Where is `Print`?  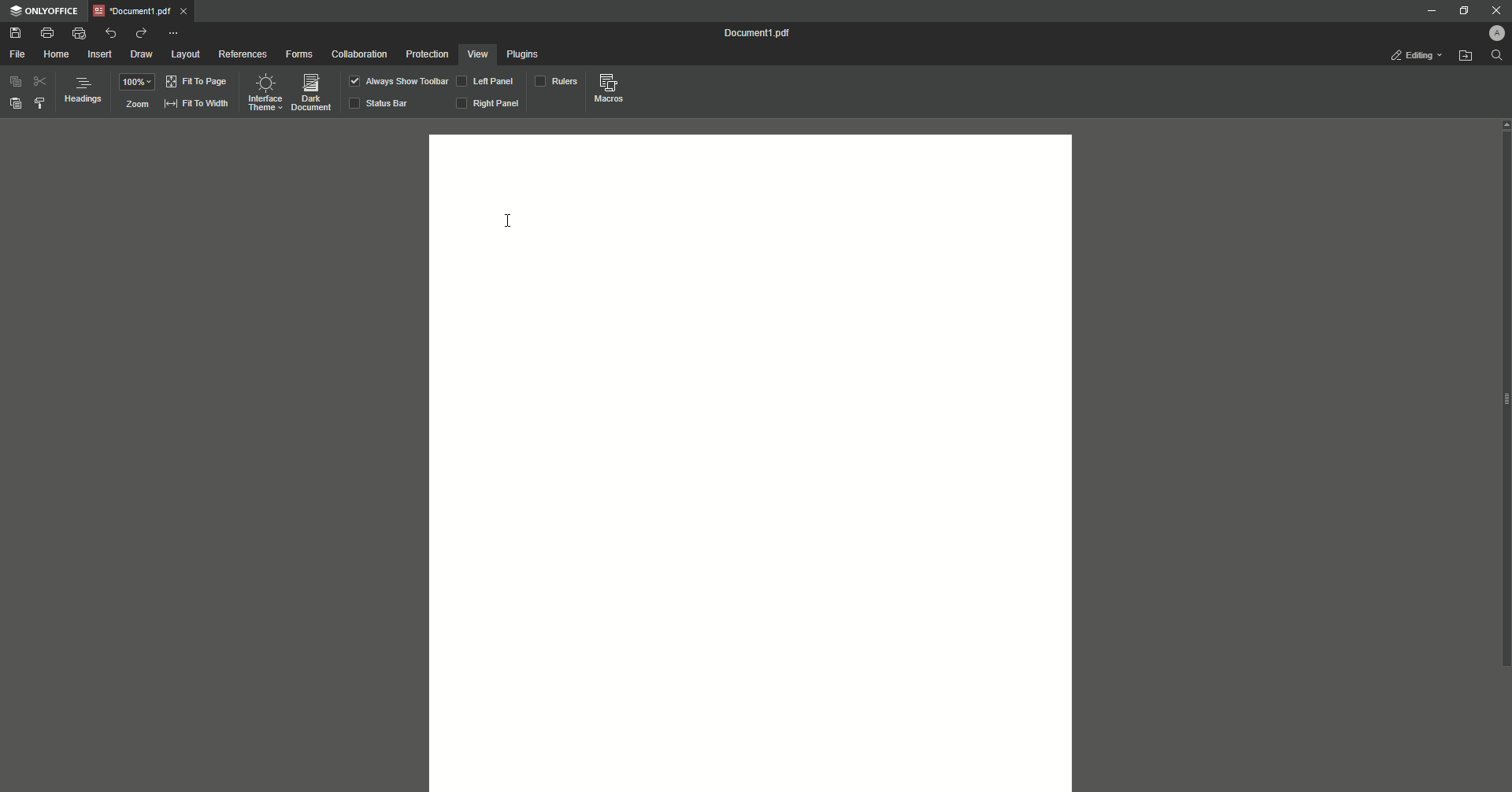
Print is located at coordinates (46, 31).